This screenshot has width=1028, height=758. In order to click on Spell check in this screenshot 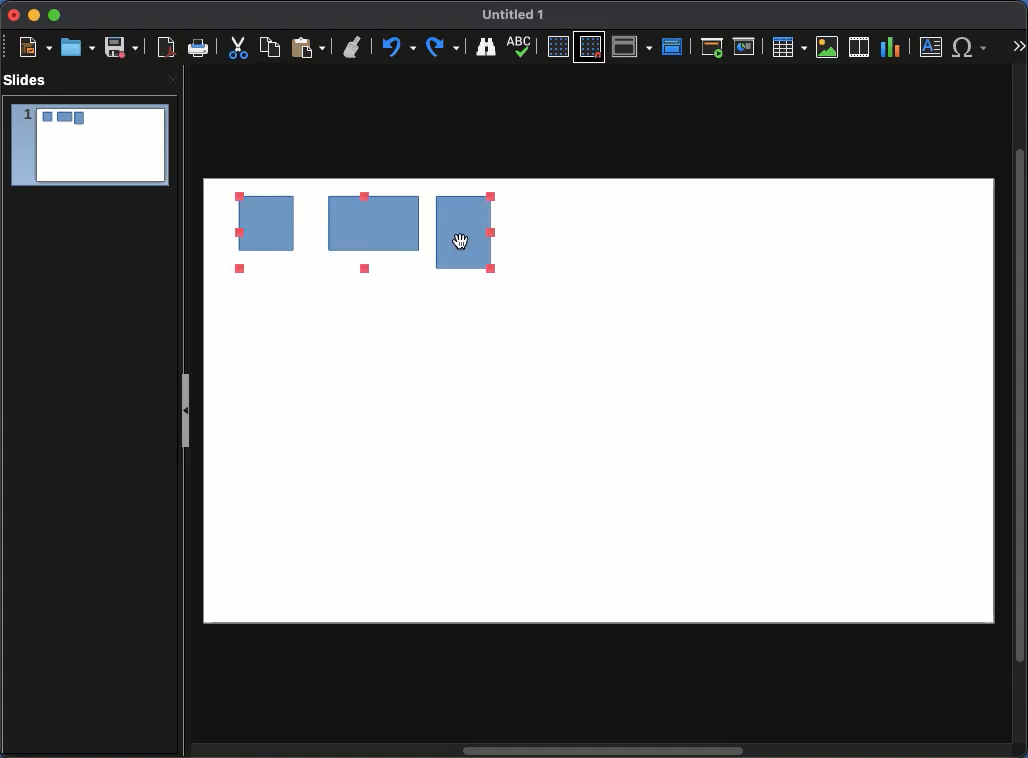, I will do `click(522, 46)`.